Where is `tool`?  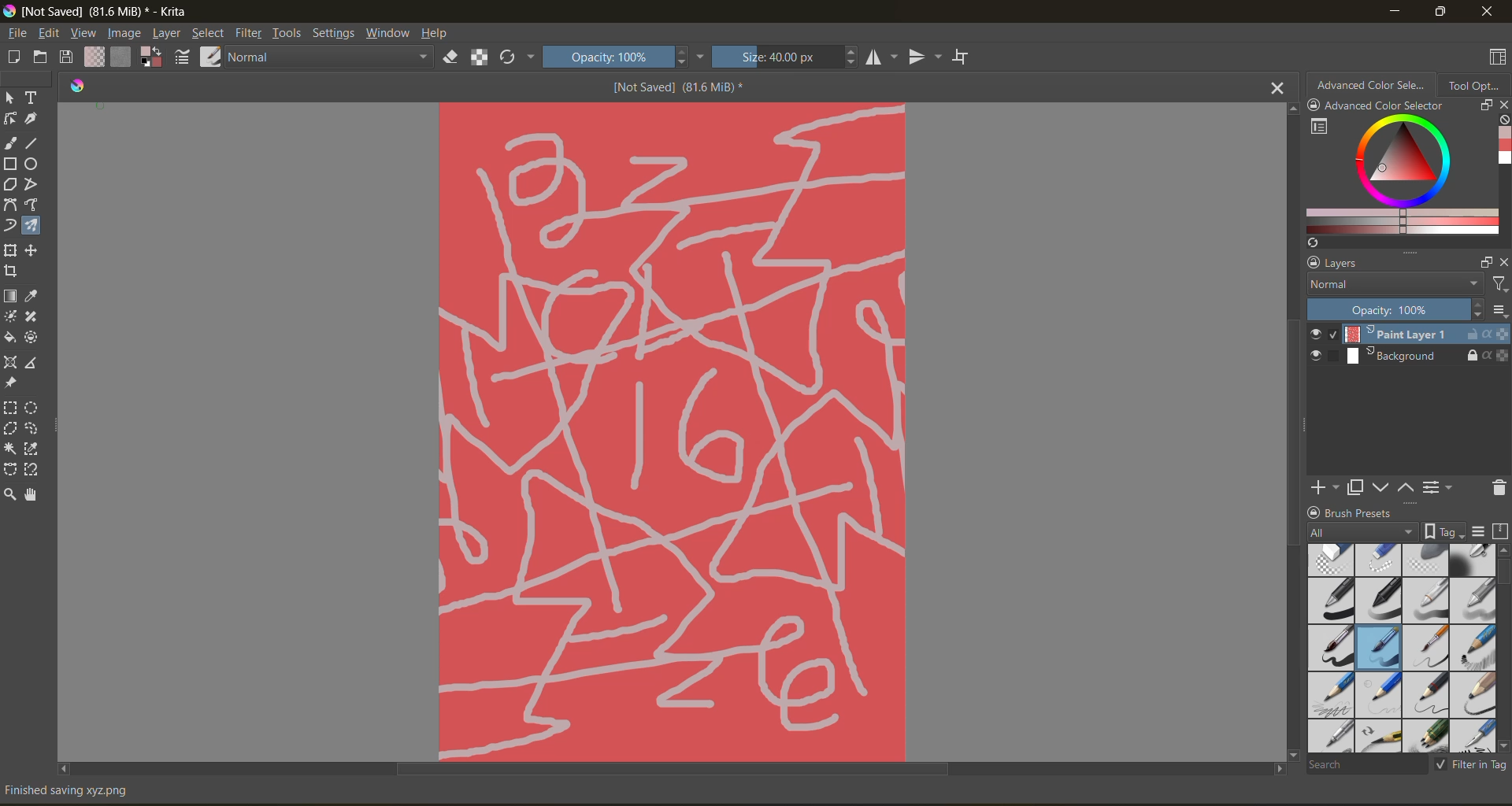 tool is located at coordinates (31, 469).